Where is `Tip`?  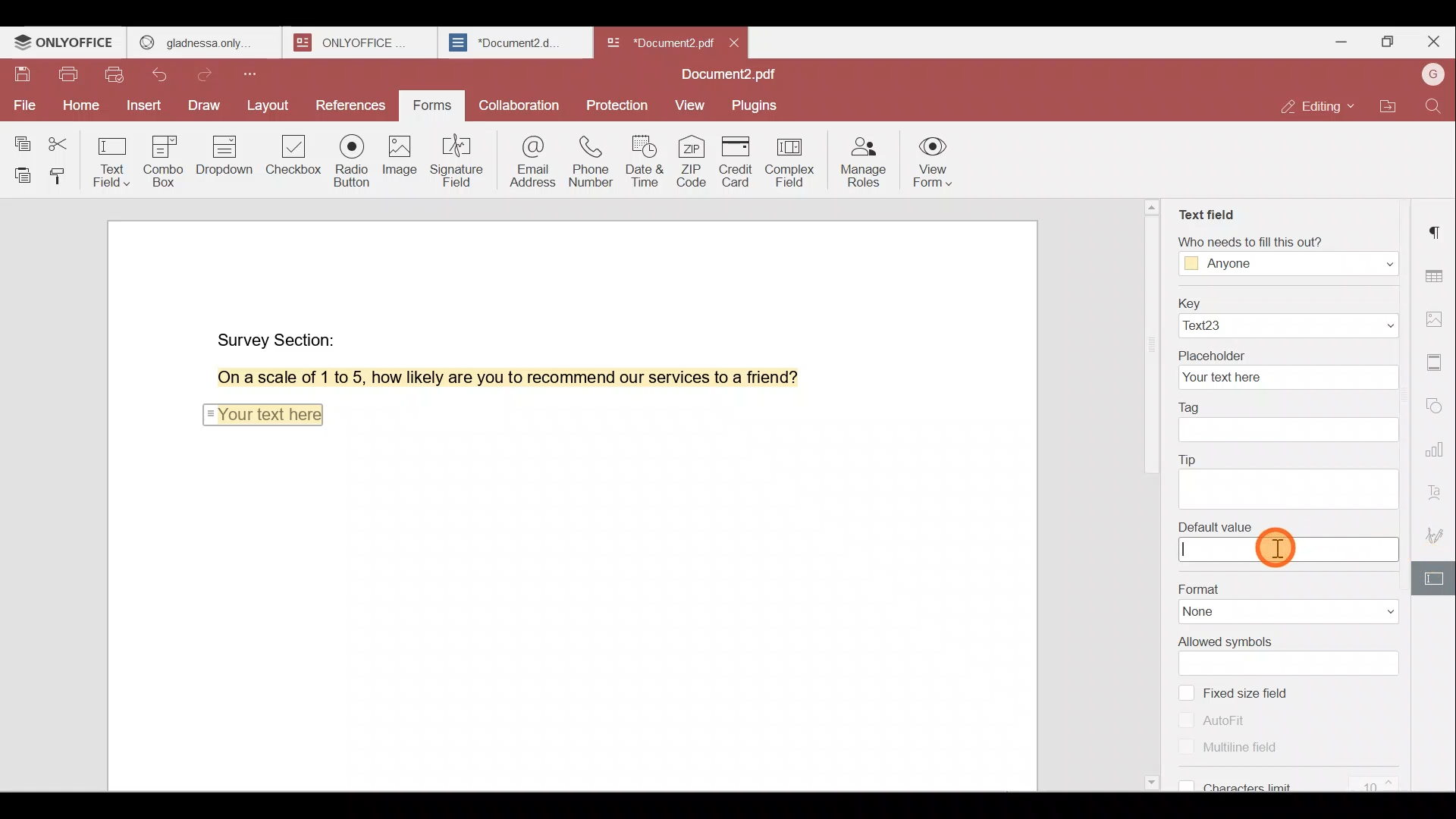
Tip is located at coordinates (1293, 477).